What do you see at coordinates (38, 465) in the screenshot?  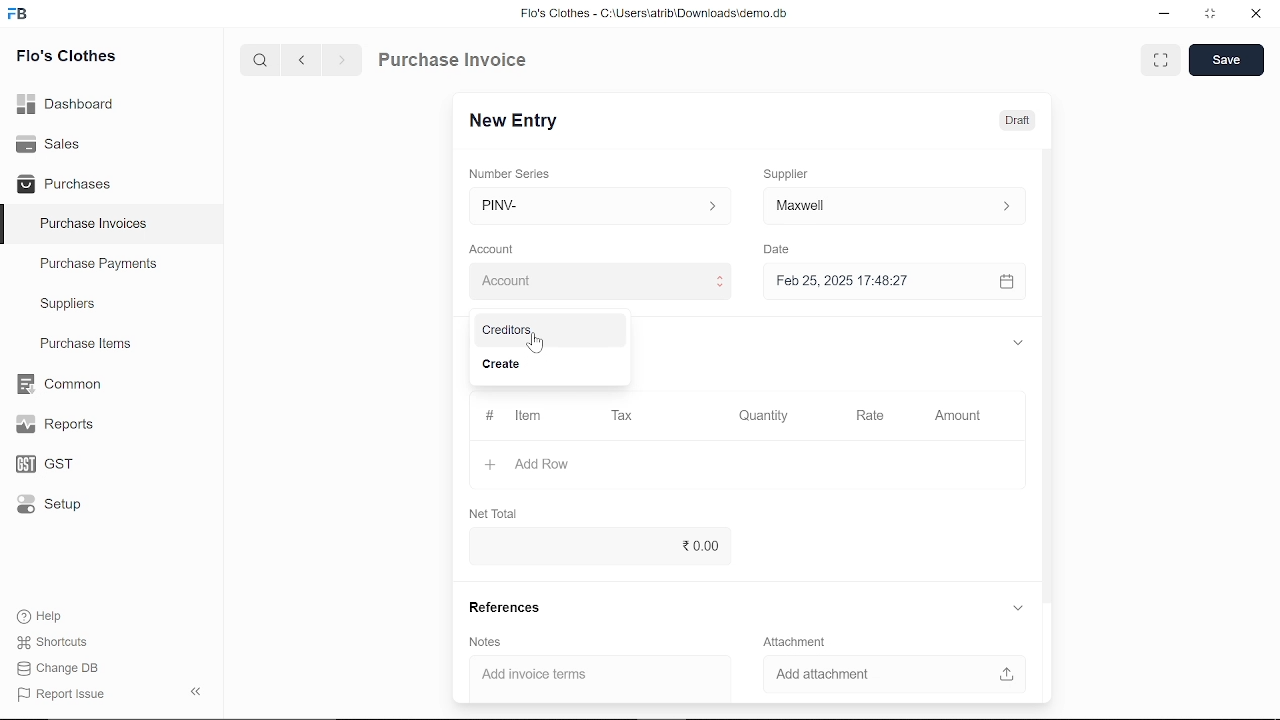 I see `GST` at bounding box center [38, 465].